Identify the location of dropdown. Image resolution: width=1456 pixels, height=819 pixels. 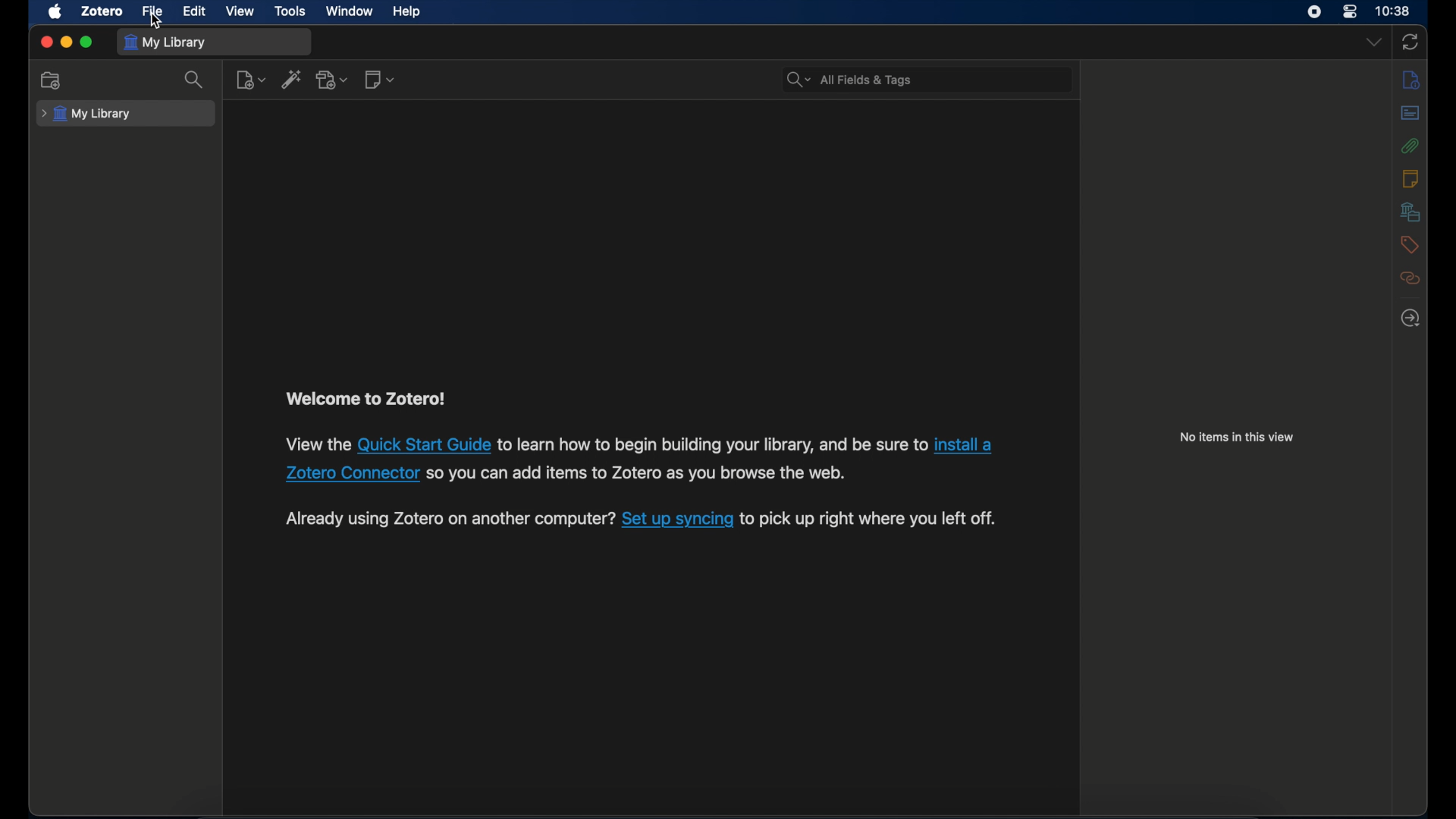
(1375, 42).